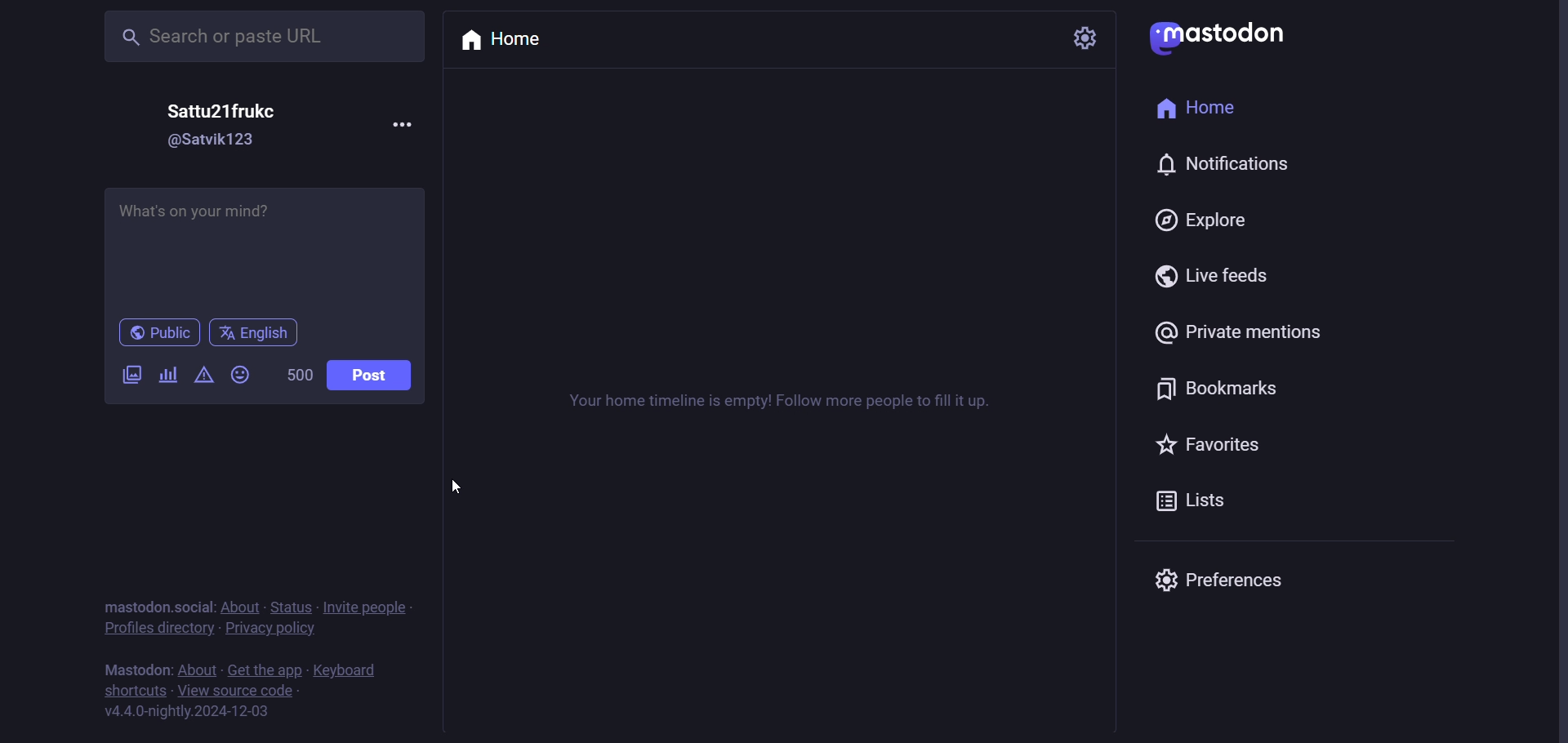  What do you see at coordinates (1218, 389) in the screenshot?
I see `bookmarks` at bounding box center [1218, 389].